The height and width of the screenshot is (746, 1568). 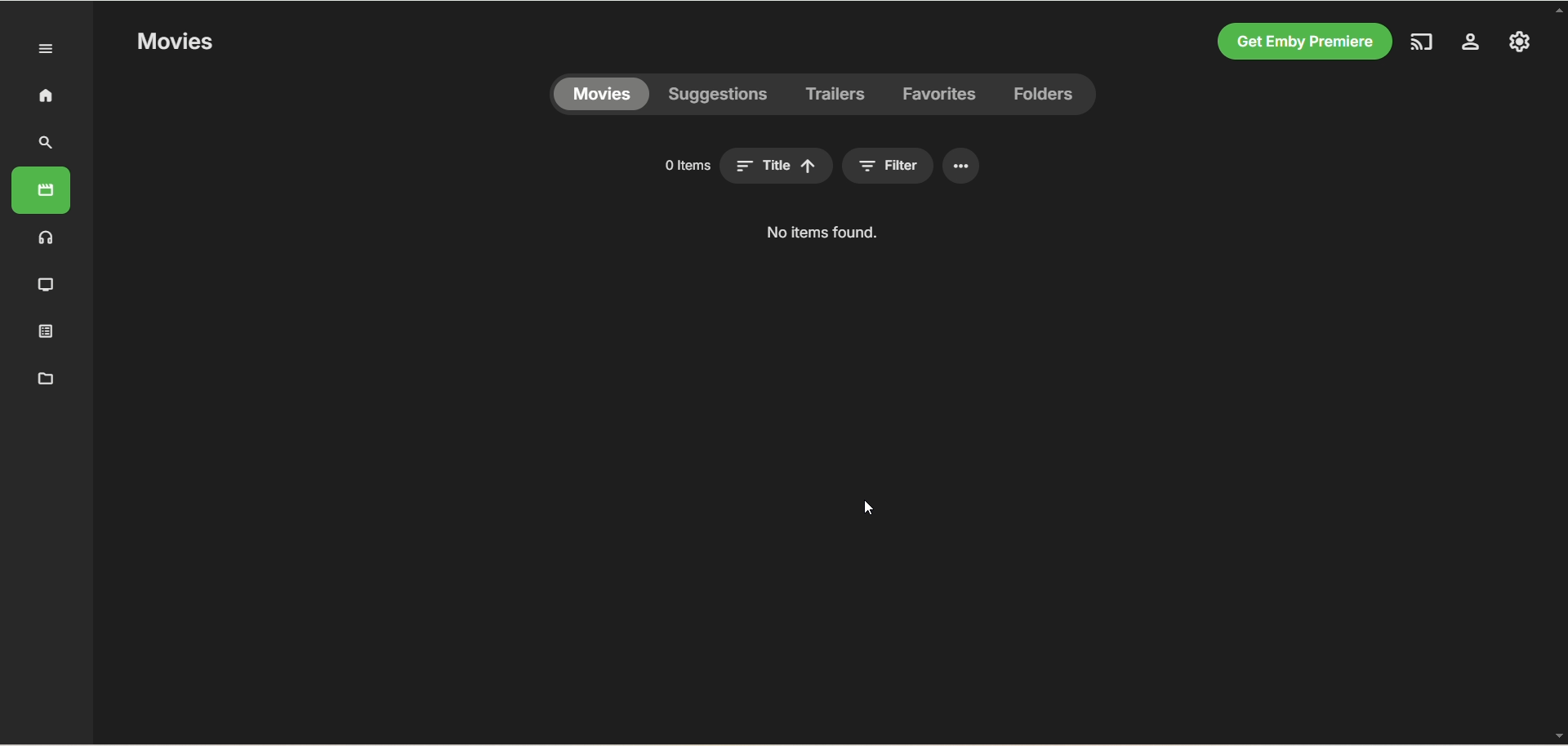 I want to click on music, so click(x=47, y=237).